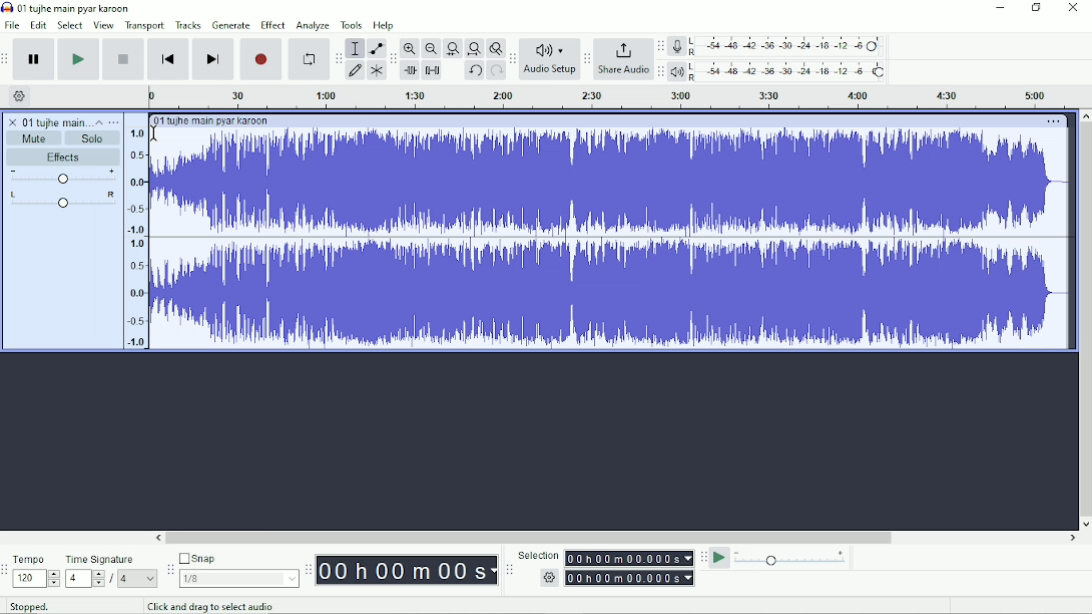  Describe the element at coordinates (375, 47) in the screenshot. I see `Envelope tool` at that location.